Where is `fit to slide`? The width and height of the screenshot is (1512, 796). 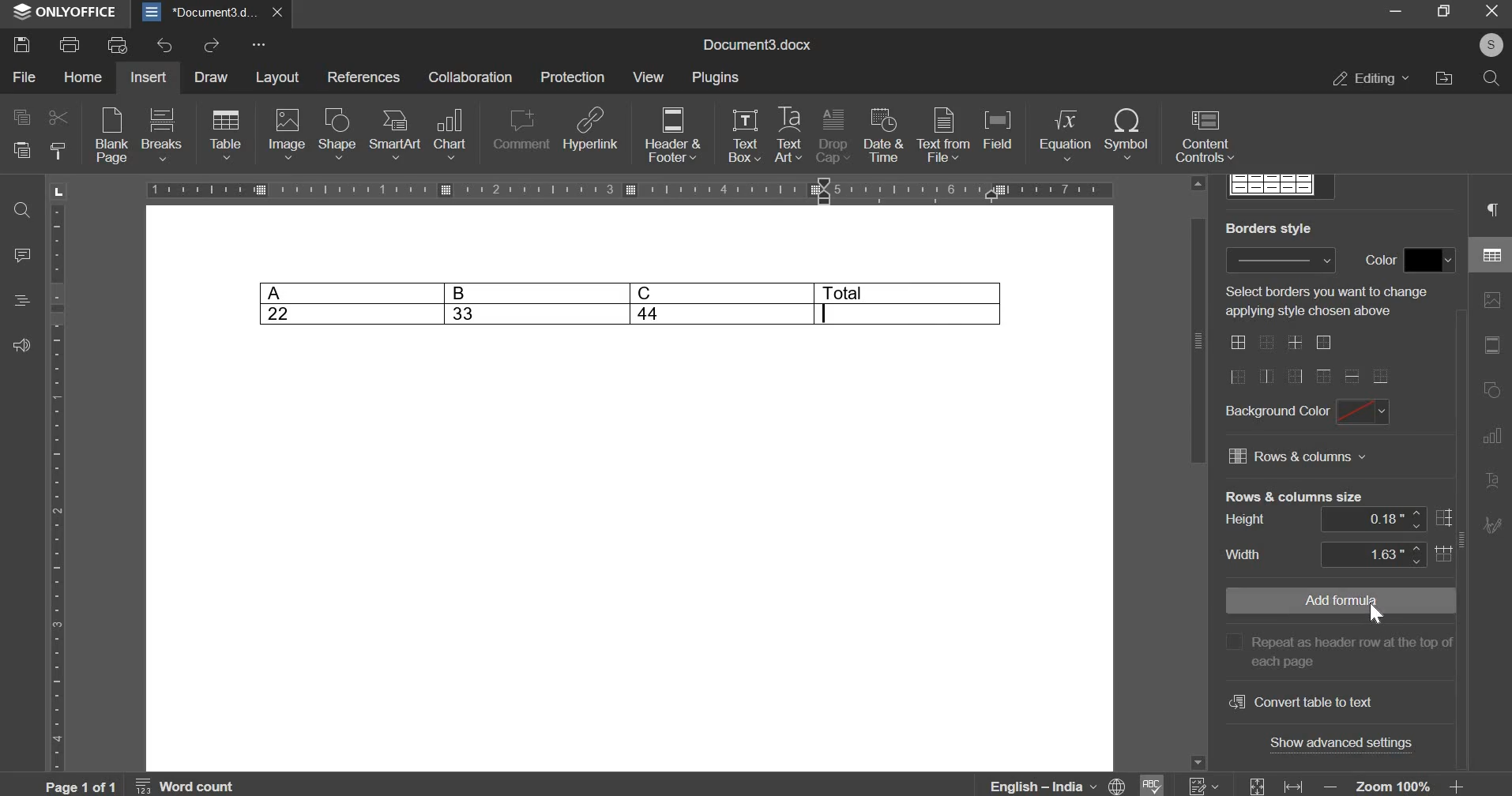 fit to slide is located at coordinates (1257, 786).